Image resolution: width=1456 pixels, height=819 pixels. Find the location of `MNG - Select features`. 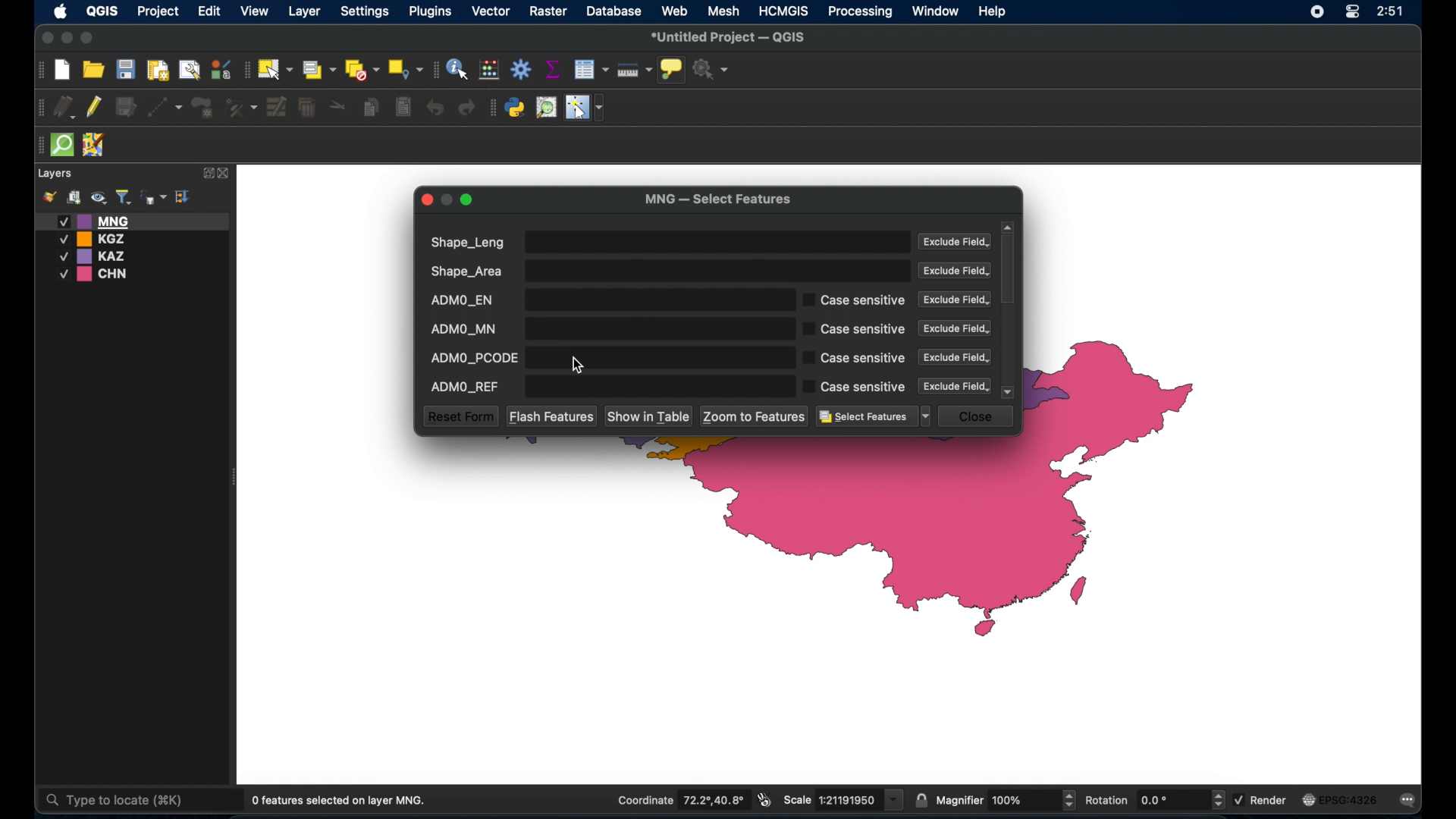

MNG - Select features is located at coordinates (718, 200).